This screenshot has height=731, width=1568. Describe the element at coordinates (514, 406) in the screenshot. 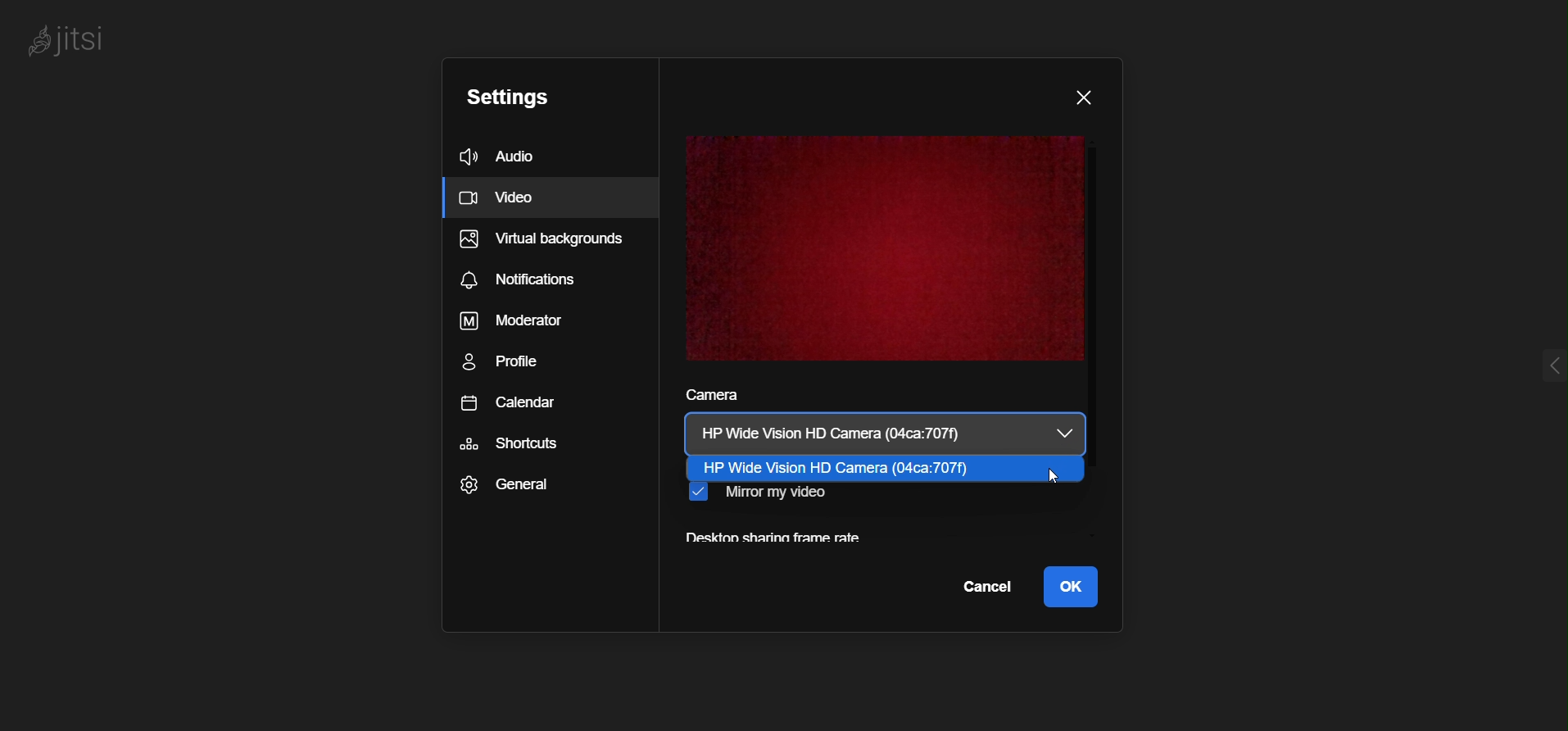

I see `calendar` at that location.